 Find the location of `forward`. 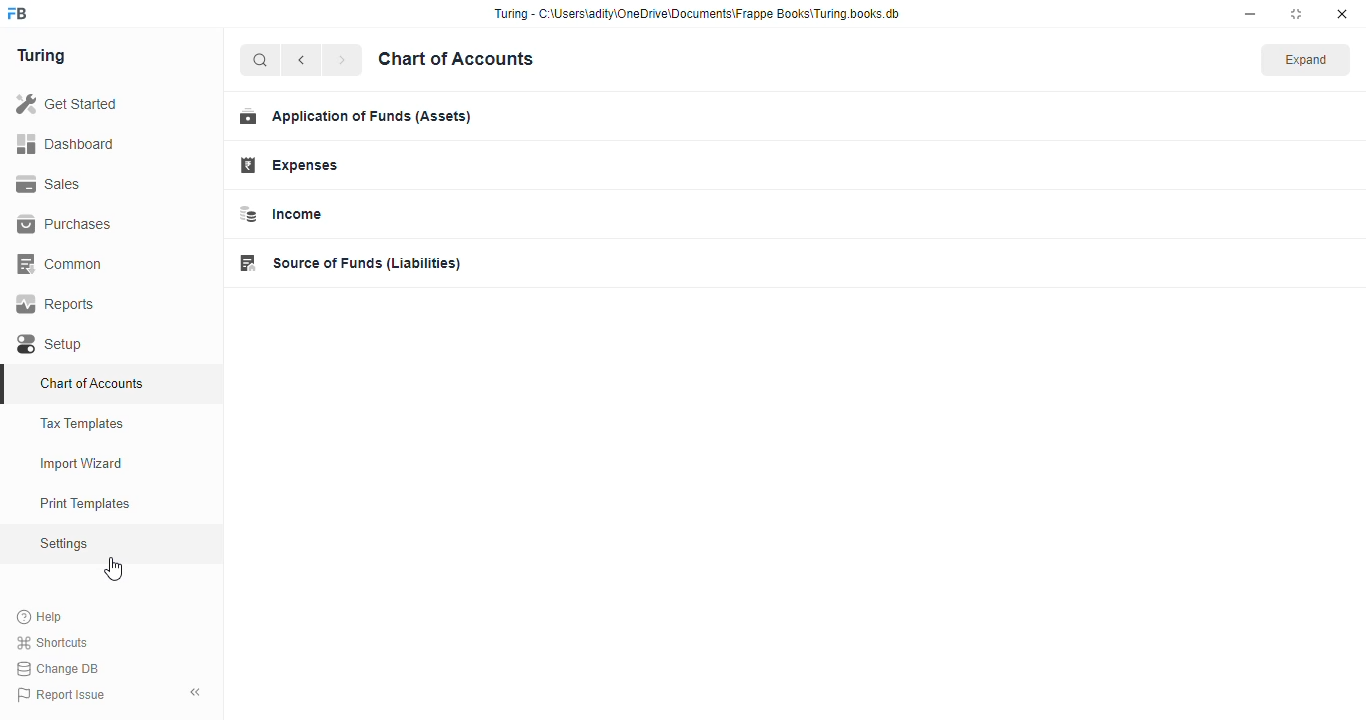

forward is located at coordinates (343, 59).